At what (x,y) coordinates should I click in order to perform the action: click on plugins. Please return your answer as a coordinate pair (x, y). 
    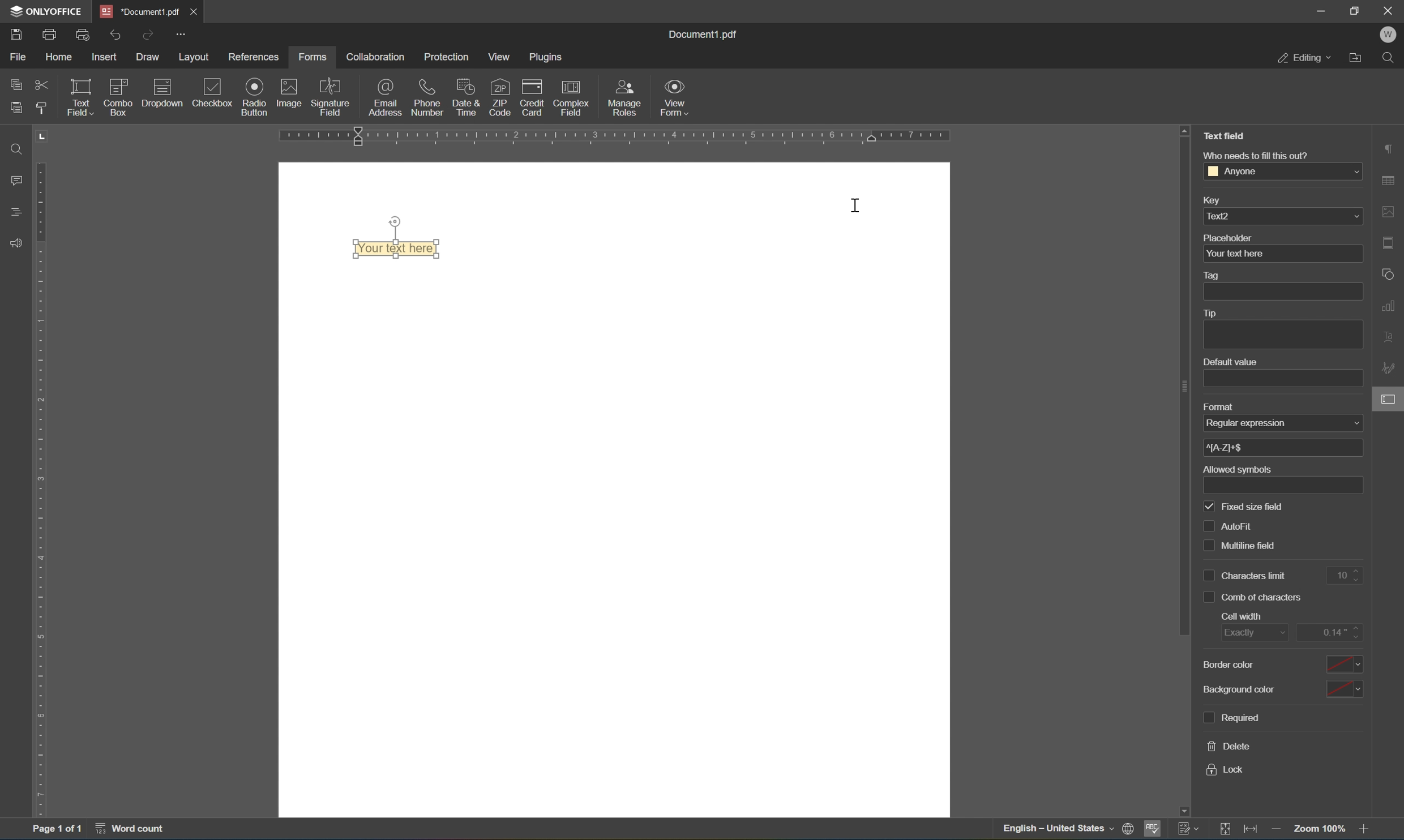
    Looking at the image, I should click on (549, 57).